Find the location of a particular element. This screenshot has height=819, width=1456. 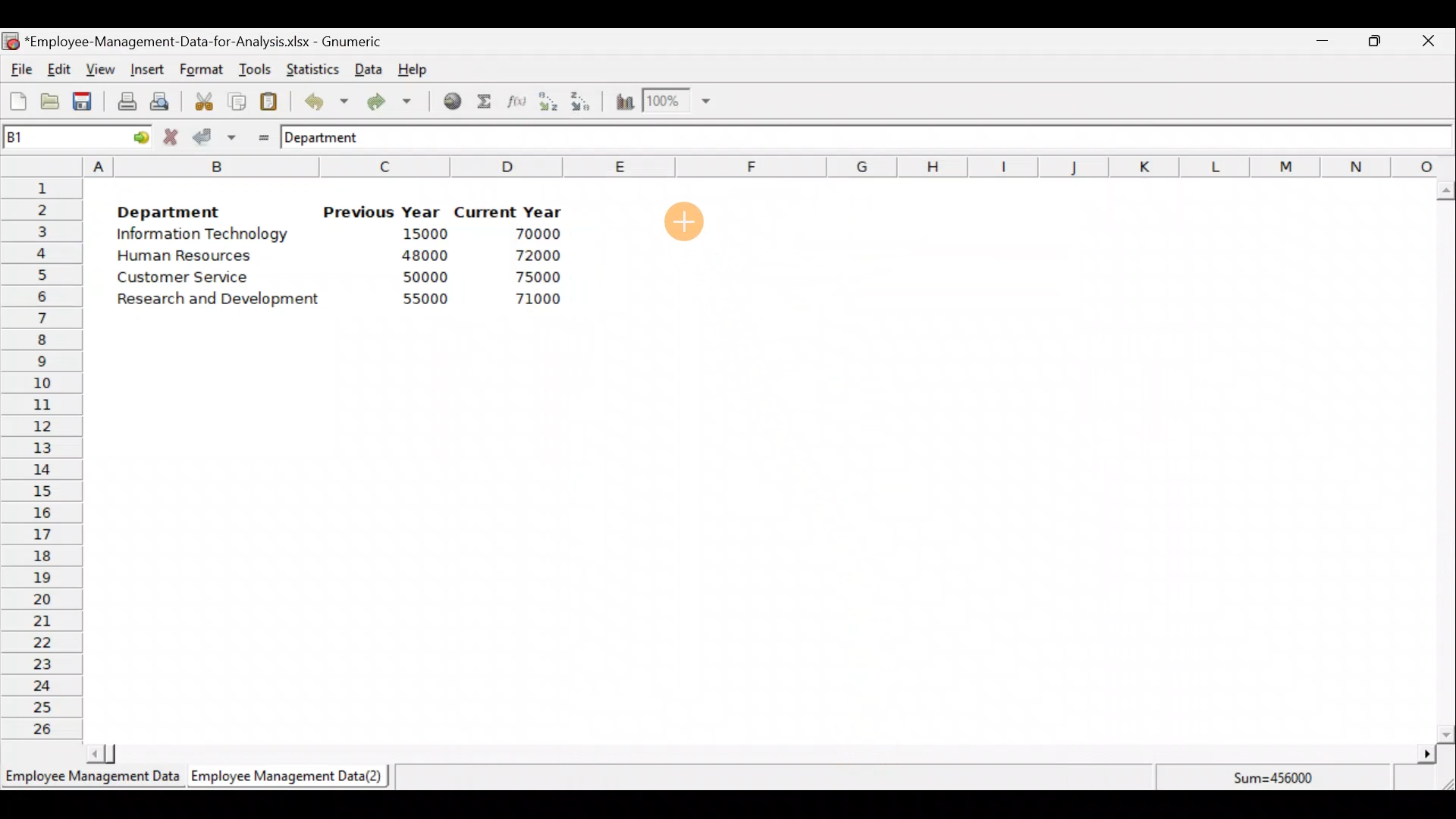

Insert is located at coordinates (146, 70).